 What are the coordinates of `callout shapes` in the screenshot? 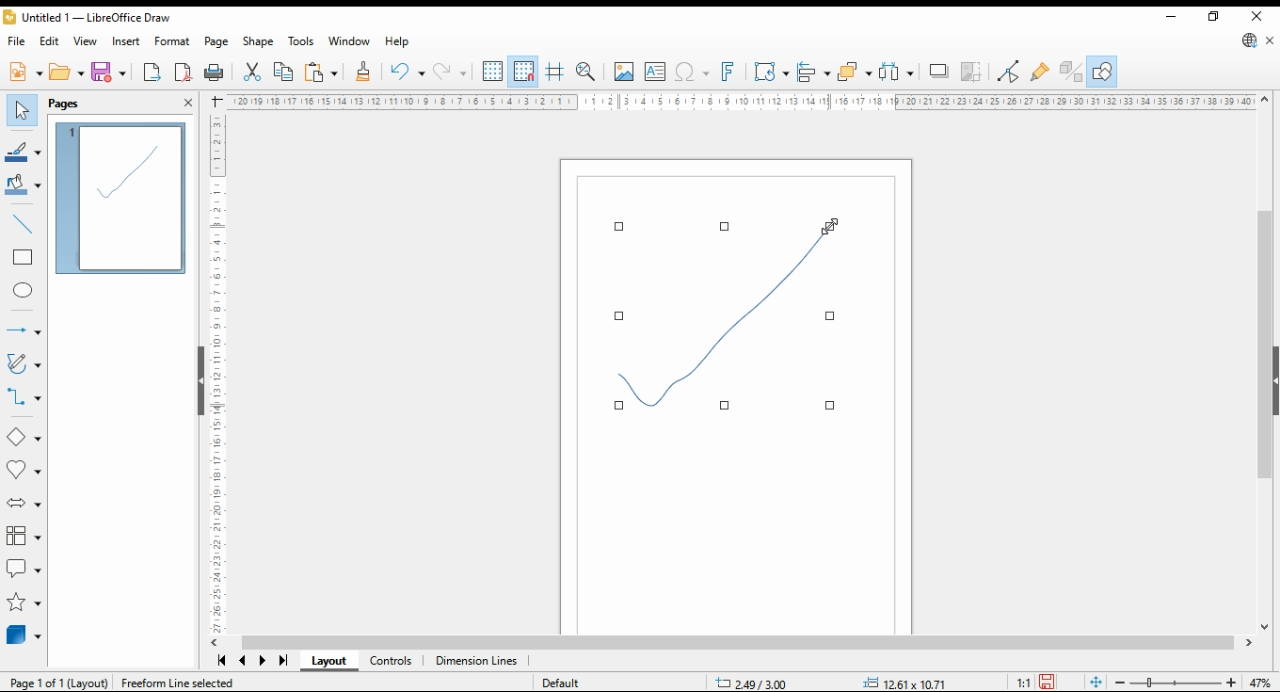 It's located at (23, 568).